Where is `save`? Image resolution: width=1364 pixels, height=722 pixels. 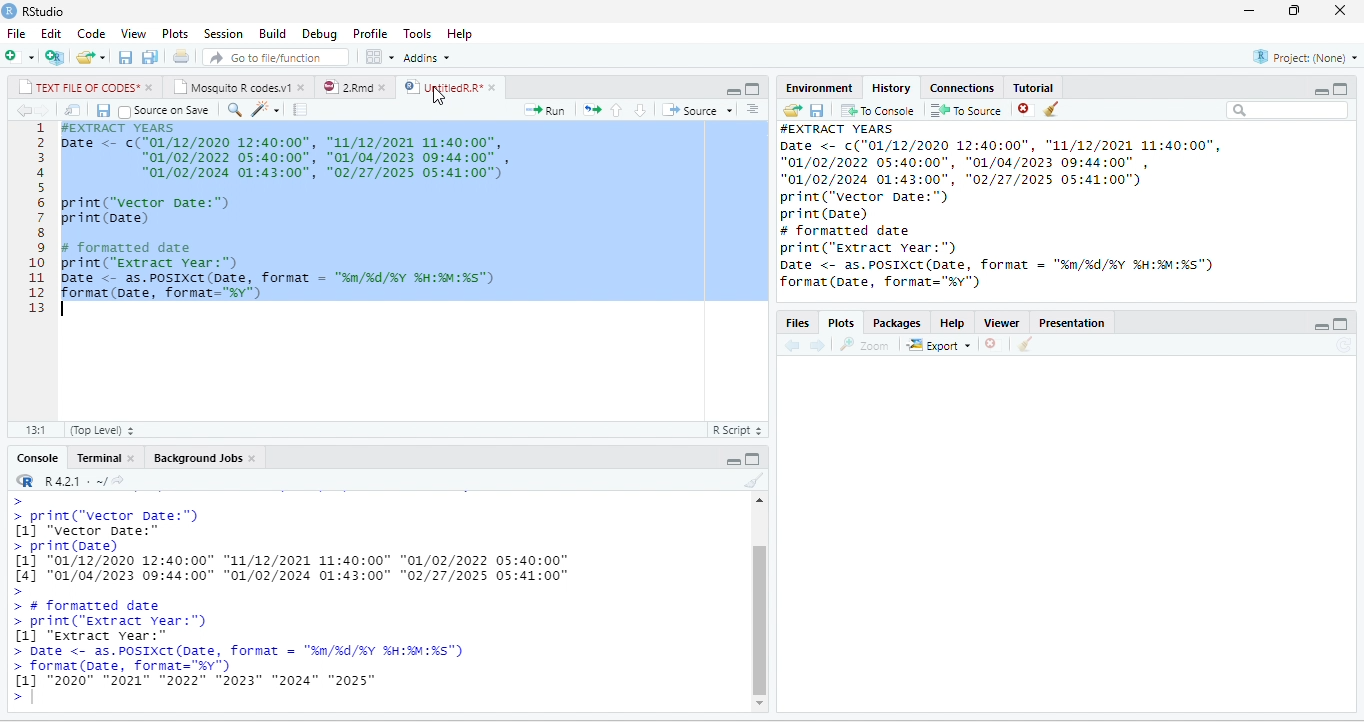 save is located at coordinates (126, 57).